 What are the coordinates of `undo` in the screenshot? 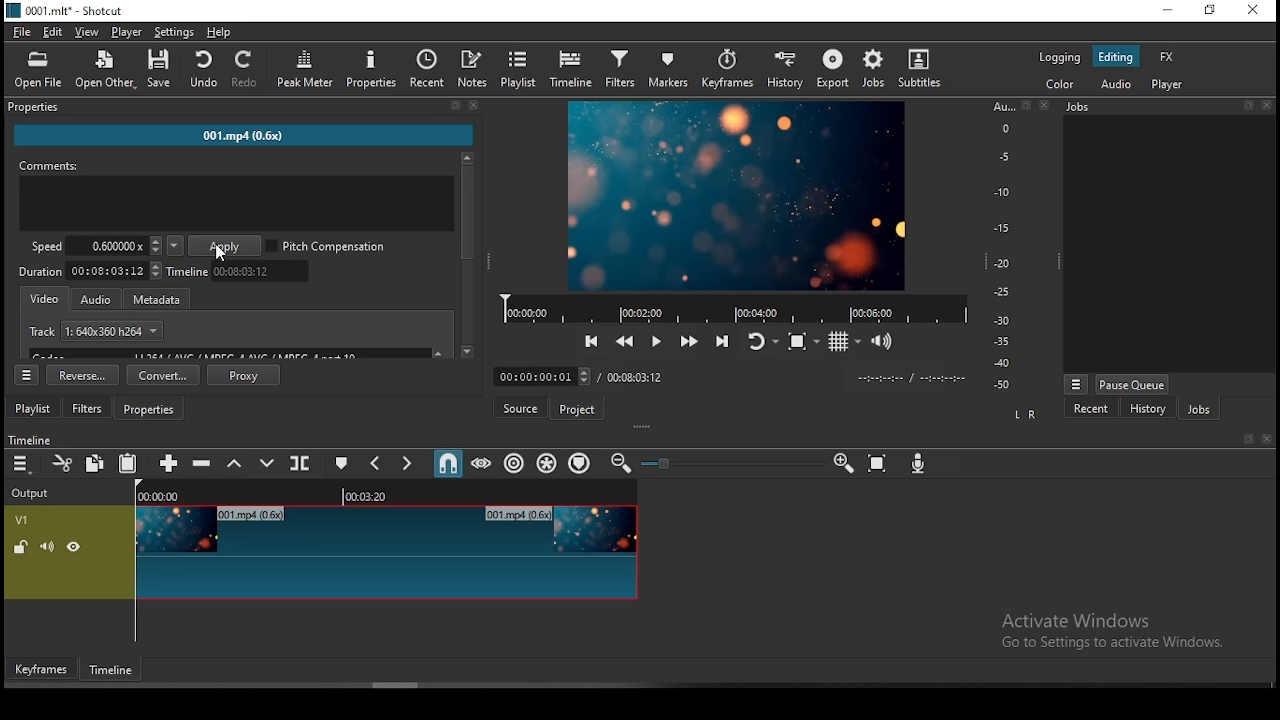 It's located at (205, 70).